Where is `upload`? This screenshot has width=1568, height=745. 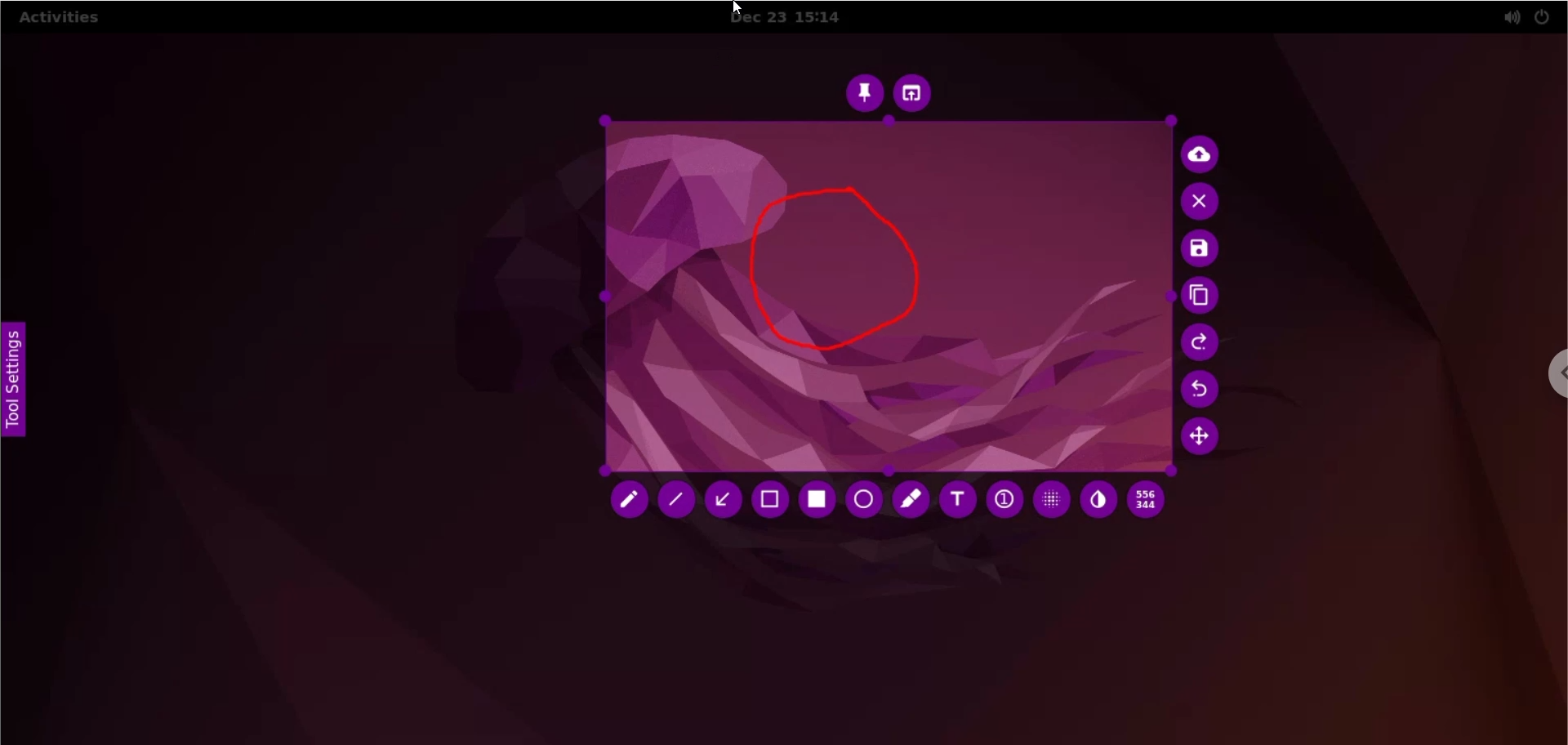
upload is located at coordinates (1205, 156).